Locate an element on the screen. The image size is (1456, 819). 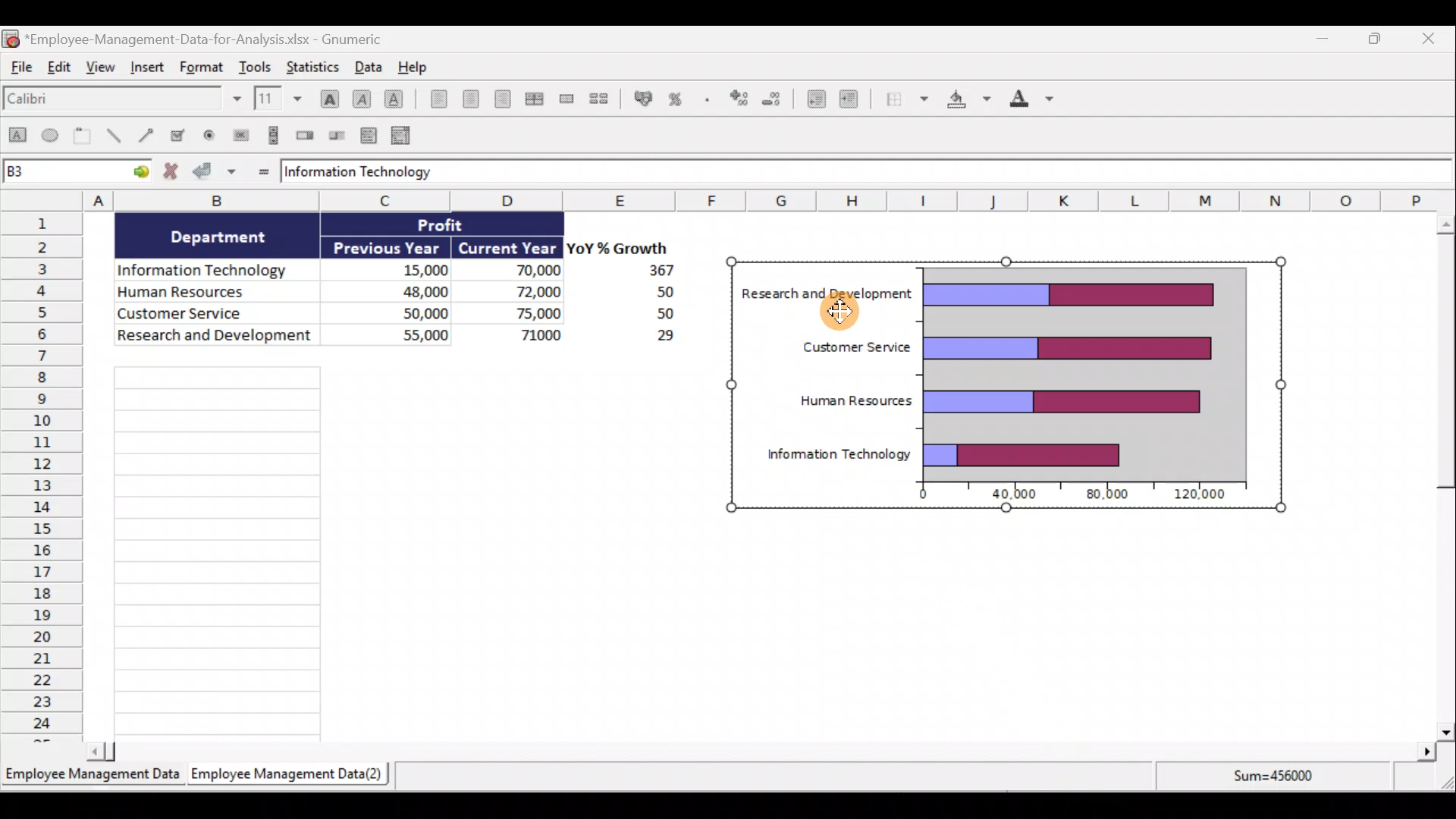
Create an arrow object is located at coordinates (149, 137).